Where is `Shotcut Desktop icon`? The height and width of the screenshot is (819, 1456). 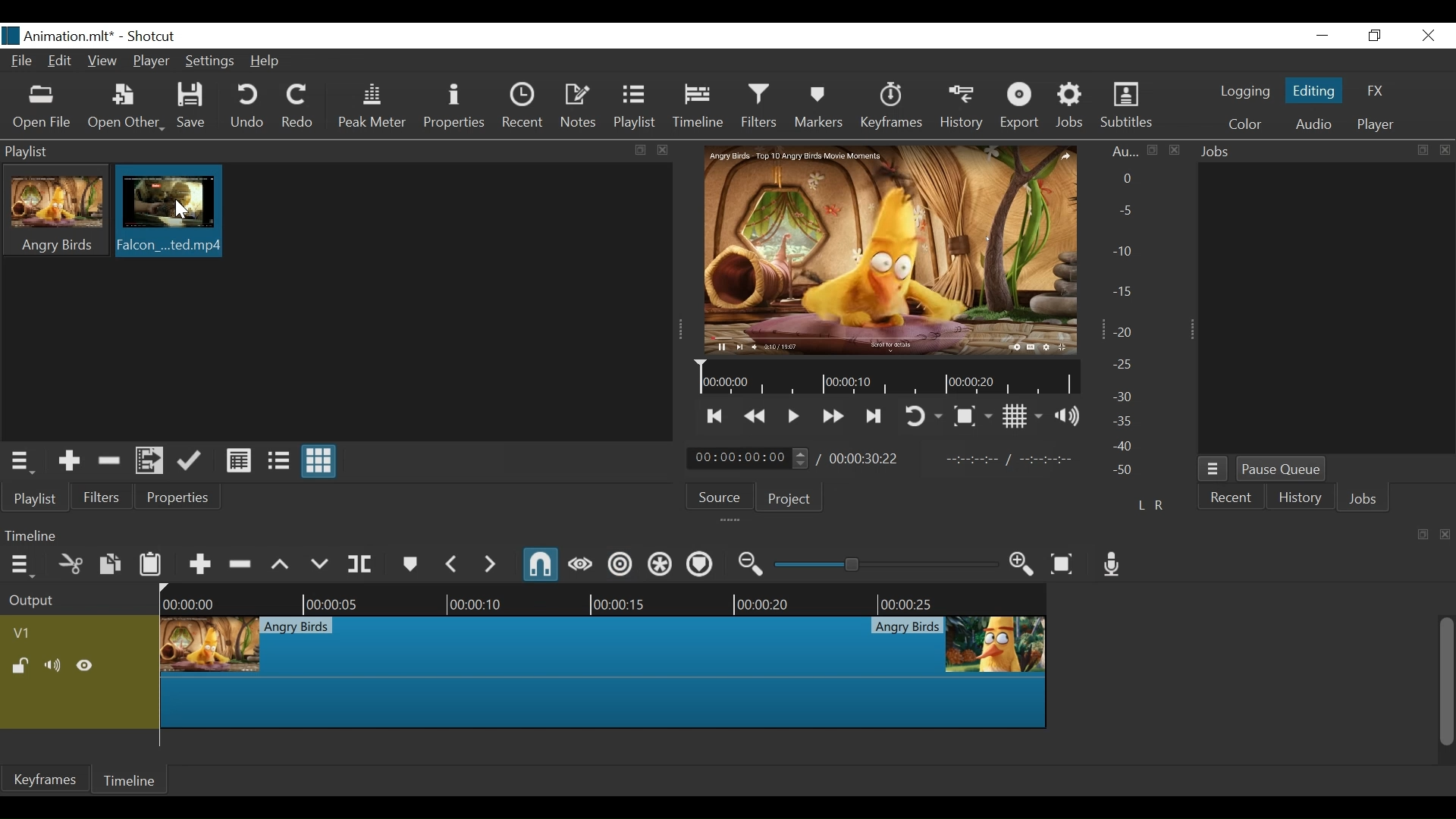 Shotcut Desktop icon is located at coordinates (11, 36).